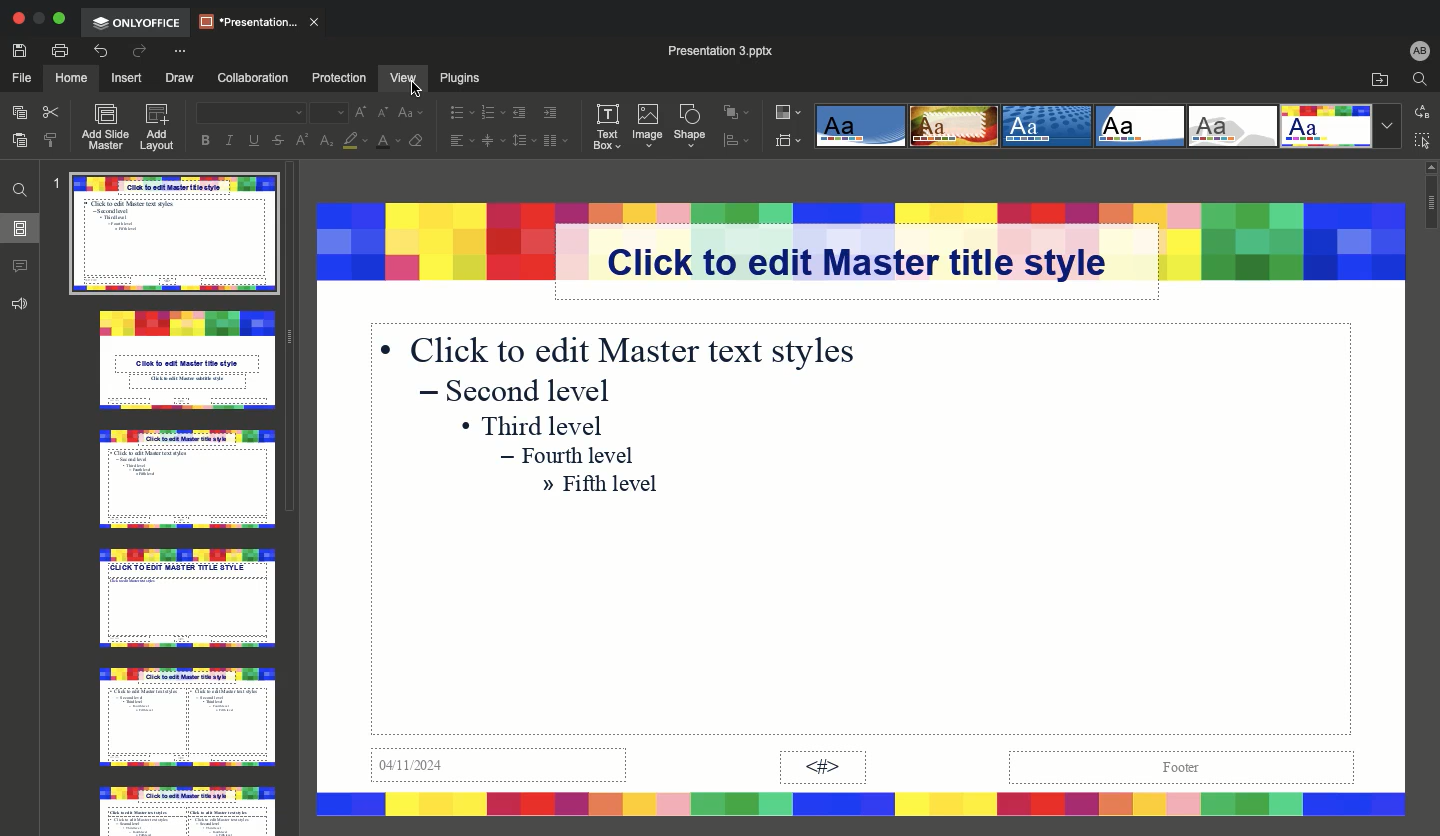 Image resolution: width=1440 pixels, height=836 pixels. I want to click on Image, so click(651, 123).